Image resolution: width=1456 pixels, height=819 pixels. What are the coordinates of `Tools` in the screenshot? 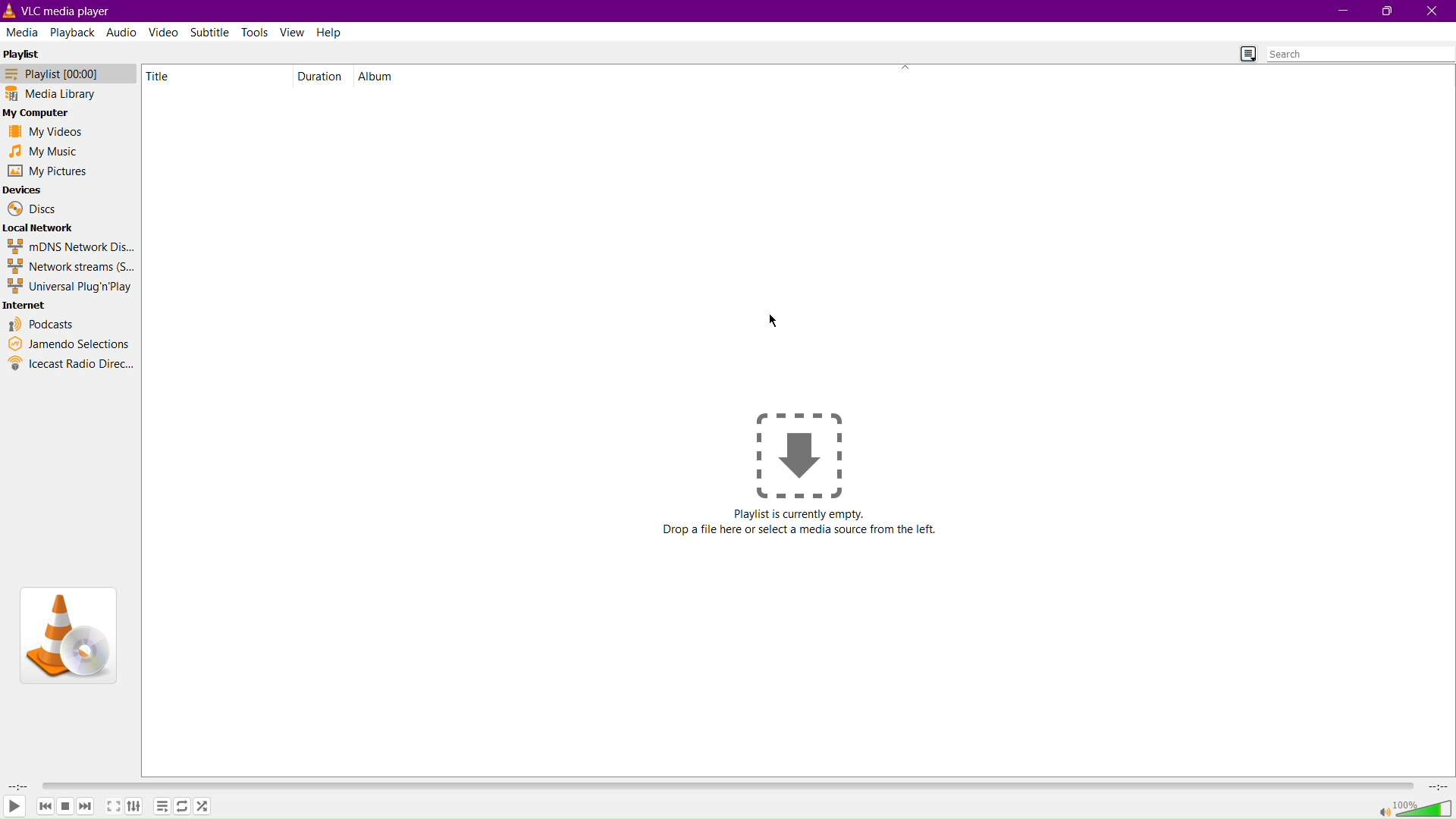 It's located at (257, 32).